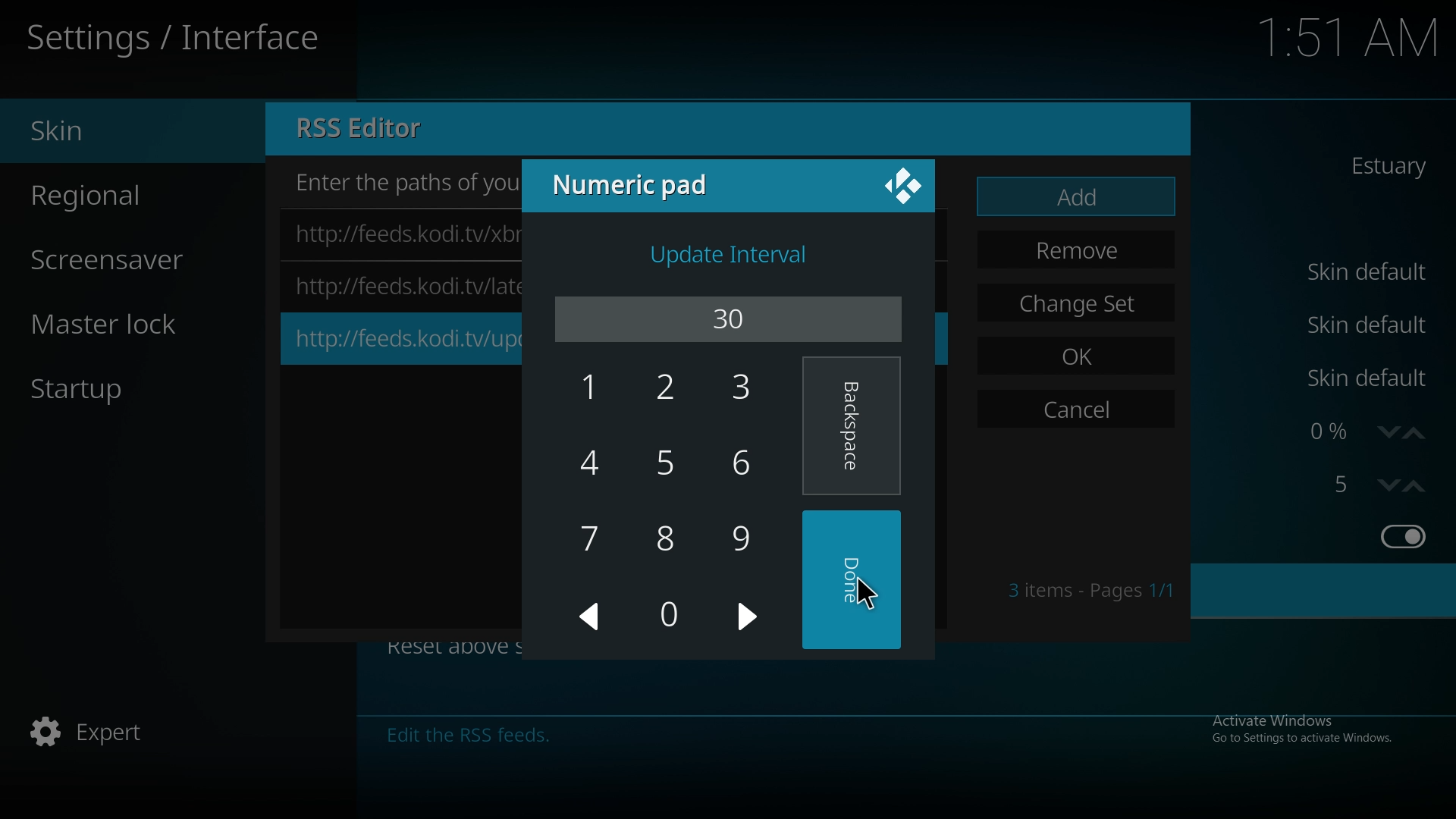  Describe the element at coordinates (619, 736) in the screenshot. I see `Edit the RSS feeds` at that location.